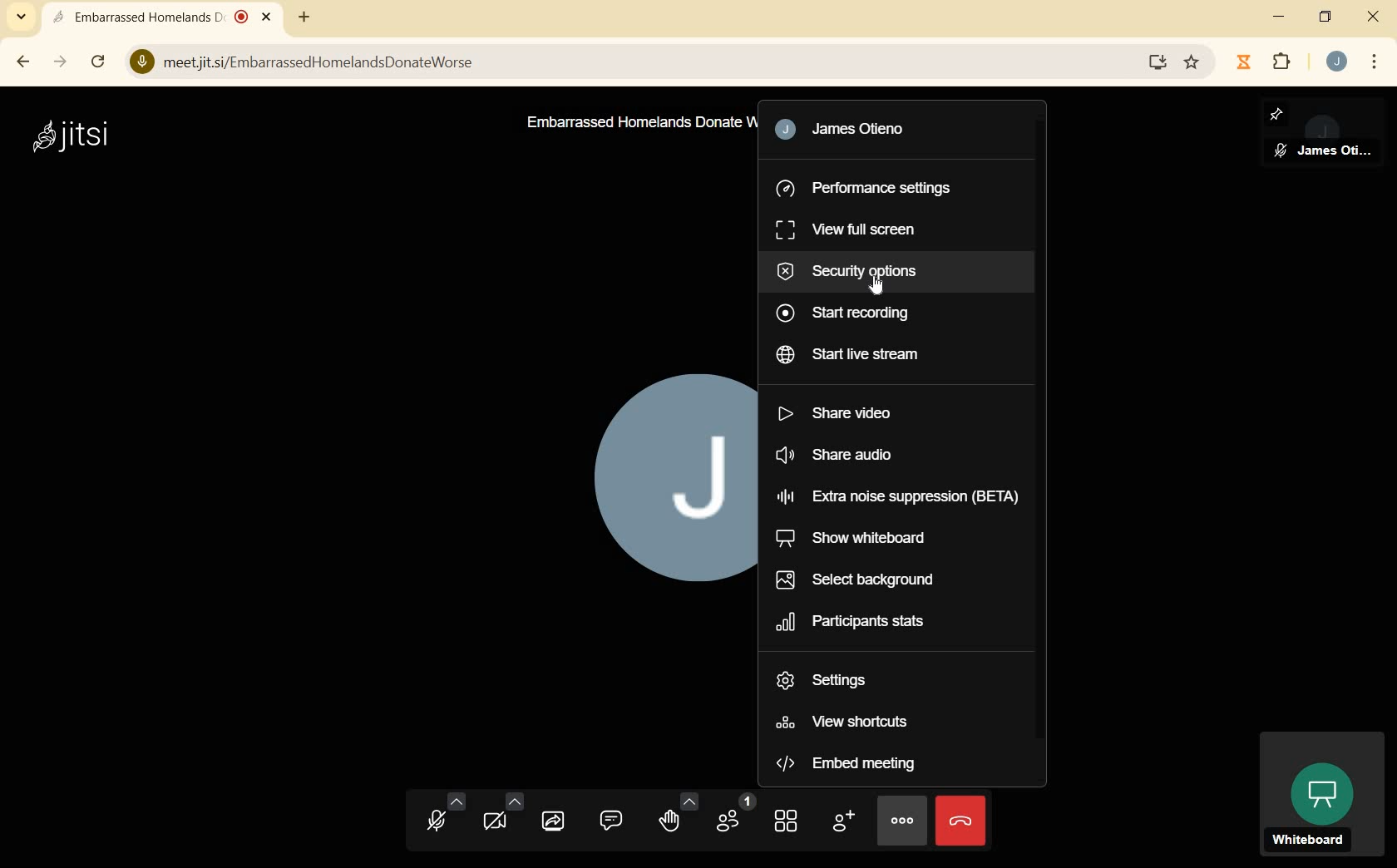 The height and width of the screenshot is (868, 1397). I want to click on Jibble, so click(1243, 62).